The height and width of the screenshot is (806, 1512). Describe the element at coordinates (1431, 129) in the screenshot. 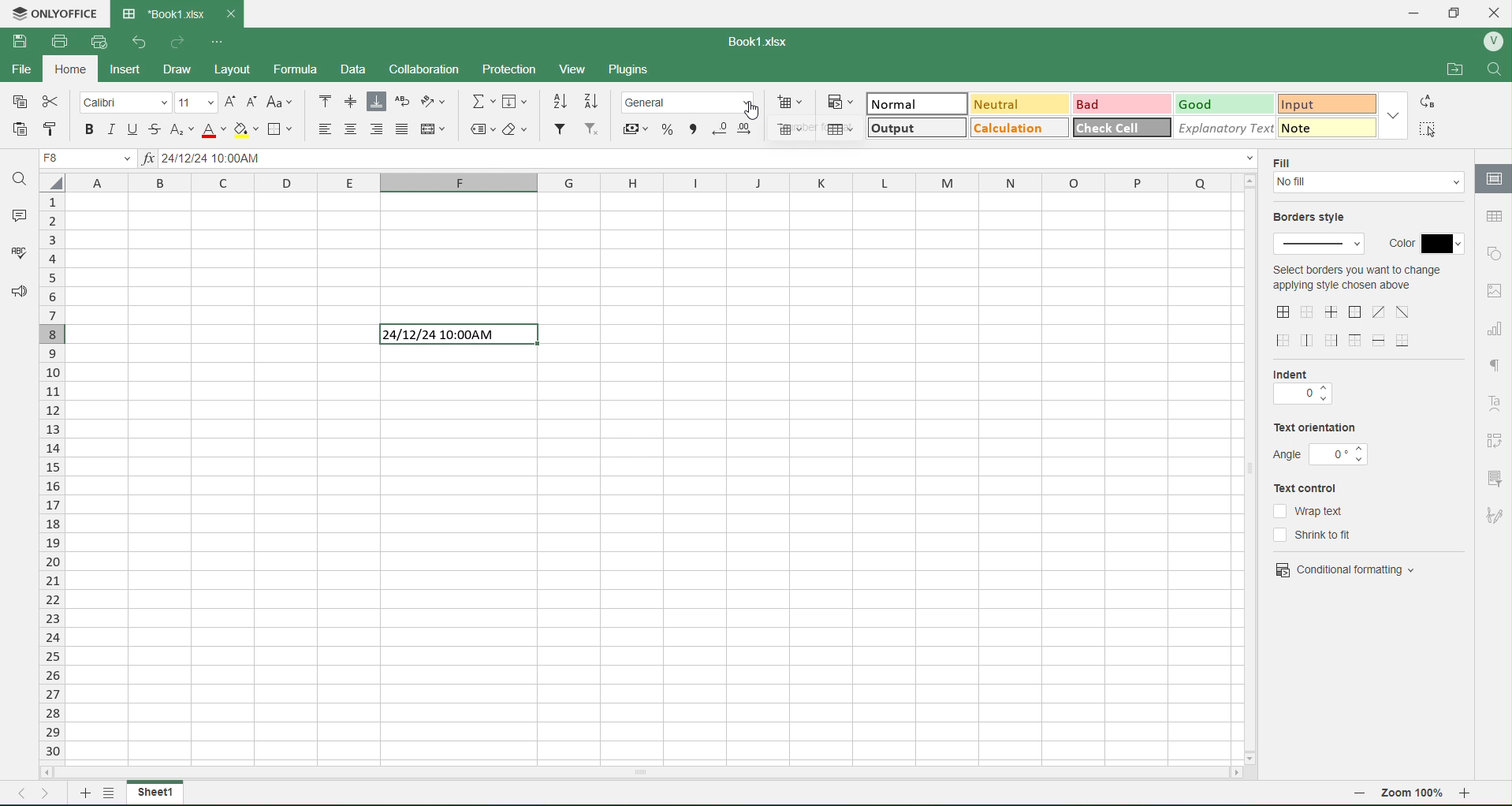

I see `Select All` at that location.